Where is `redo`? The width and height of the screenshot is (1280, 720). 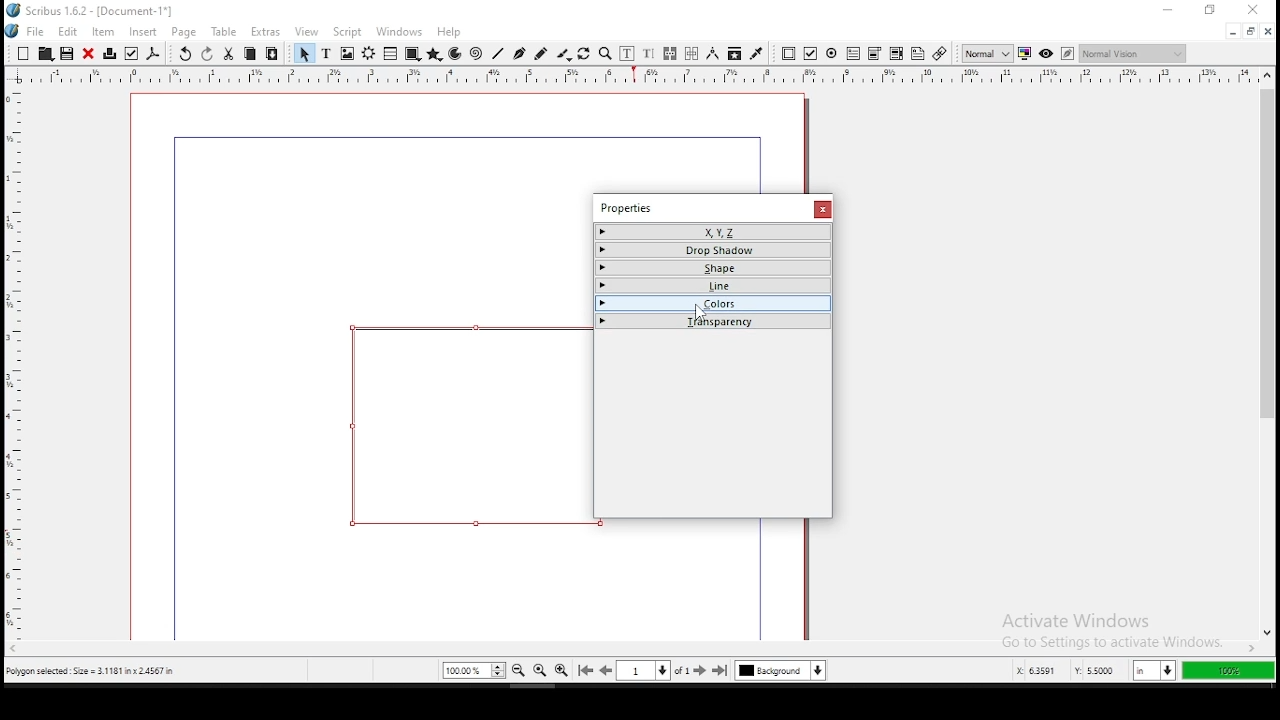 redo is located at coordinates (207, 54).